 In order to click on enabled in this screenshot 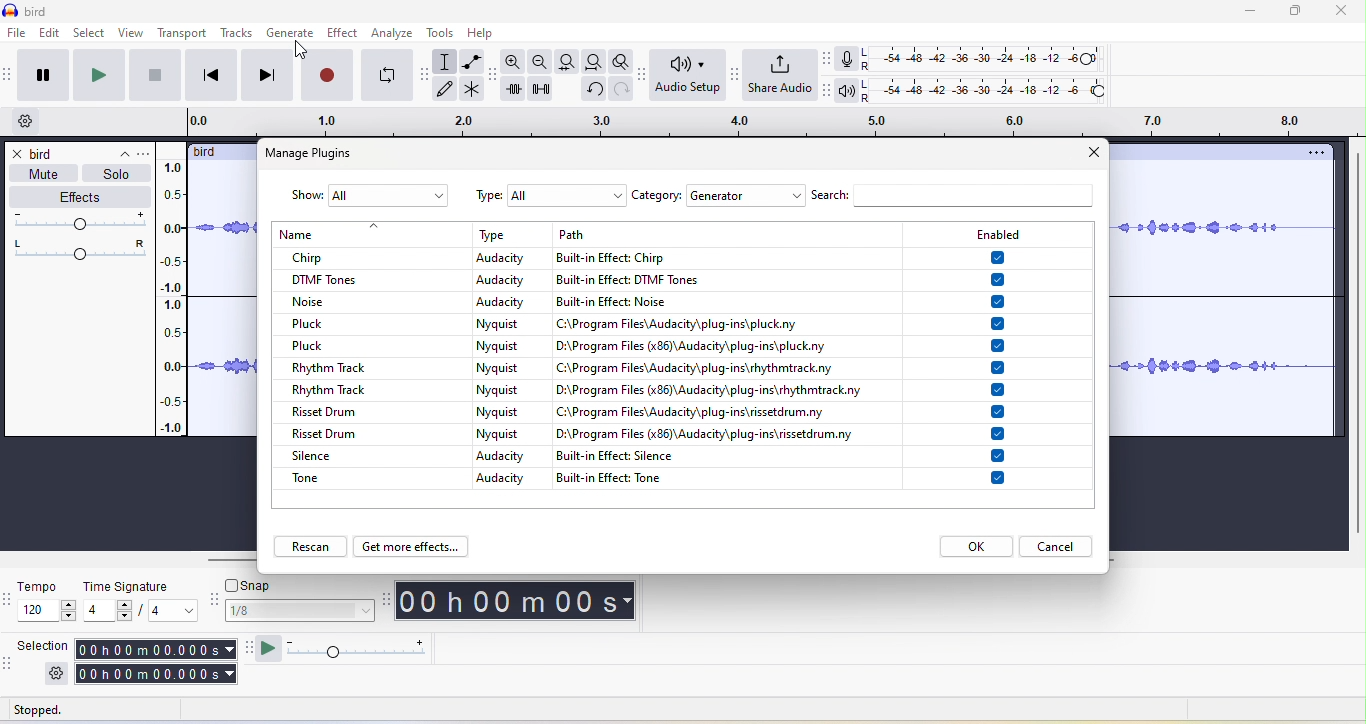, I will do `click(997, 234)`.